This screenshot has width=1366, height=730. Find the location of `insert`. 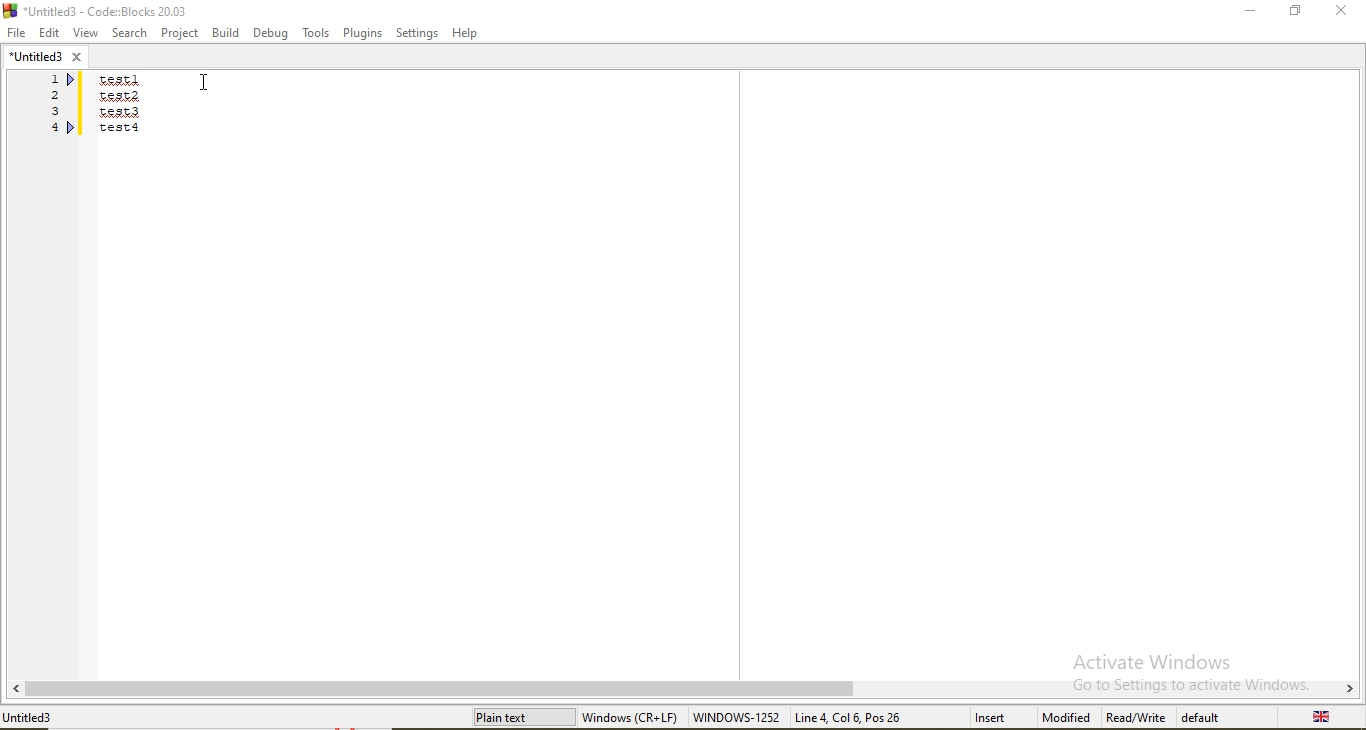

insert is located at coordinates (983, 716).